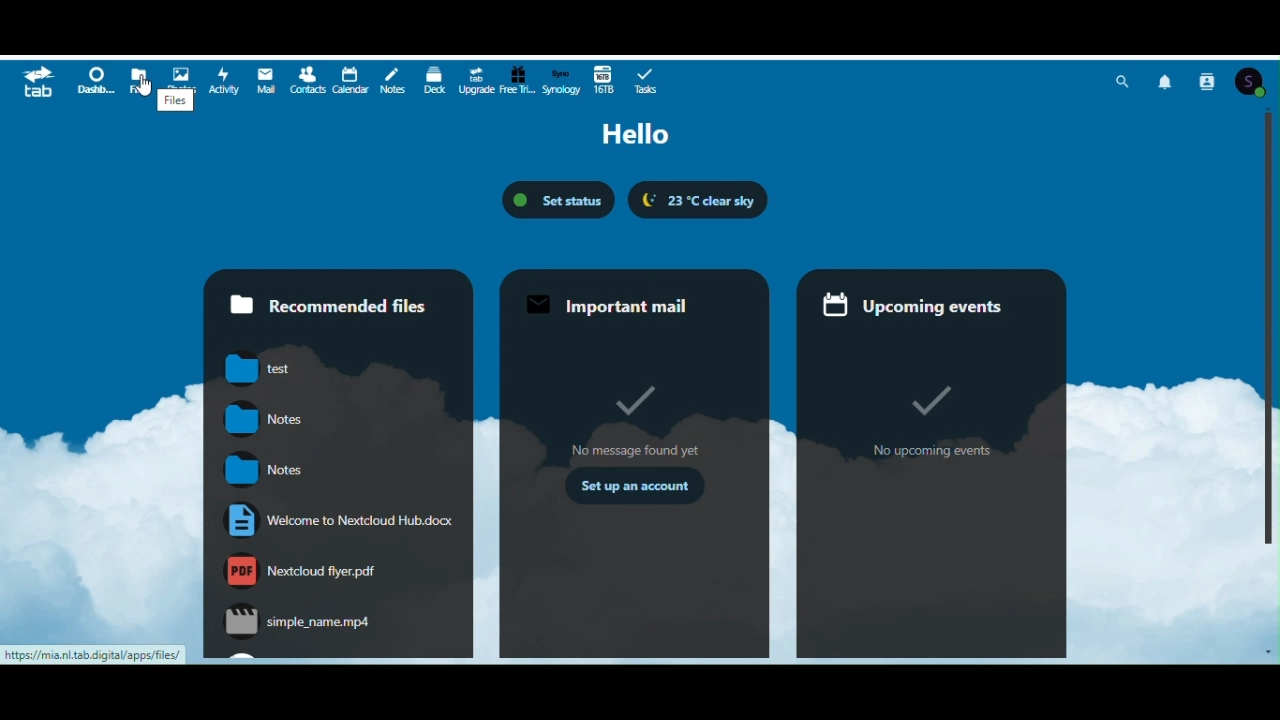 The width and height of the screenshot is (1280, 720). Describe the element at coordinates (643, 135) in the screenshot. I see `Hello` at that location.